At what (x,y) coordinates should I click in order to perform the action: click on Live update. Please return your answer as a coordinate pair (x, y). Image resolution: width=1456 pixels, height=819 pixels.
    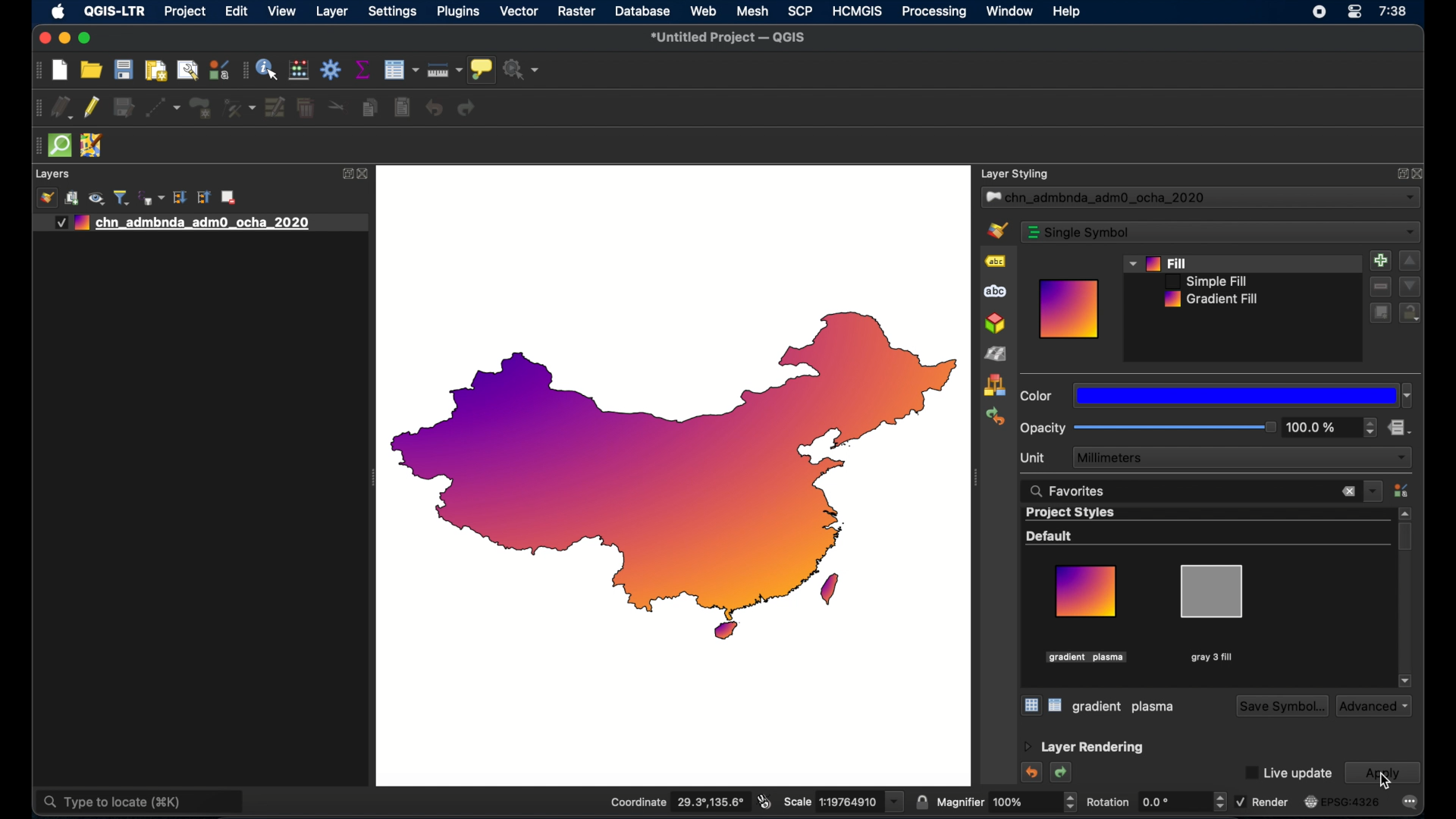
    Looking at the image, I should click on (1291, 774).